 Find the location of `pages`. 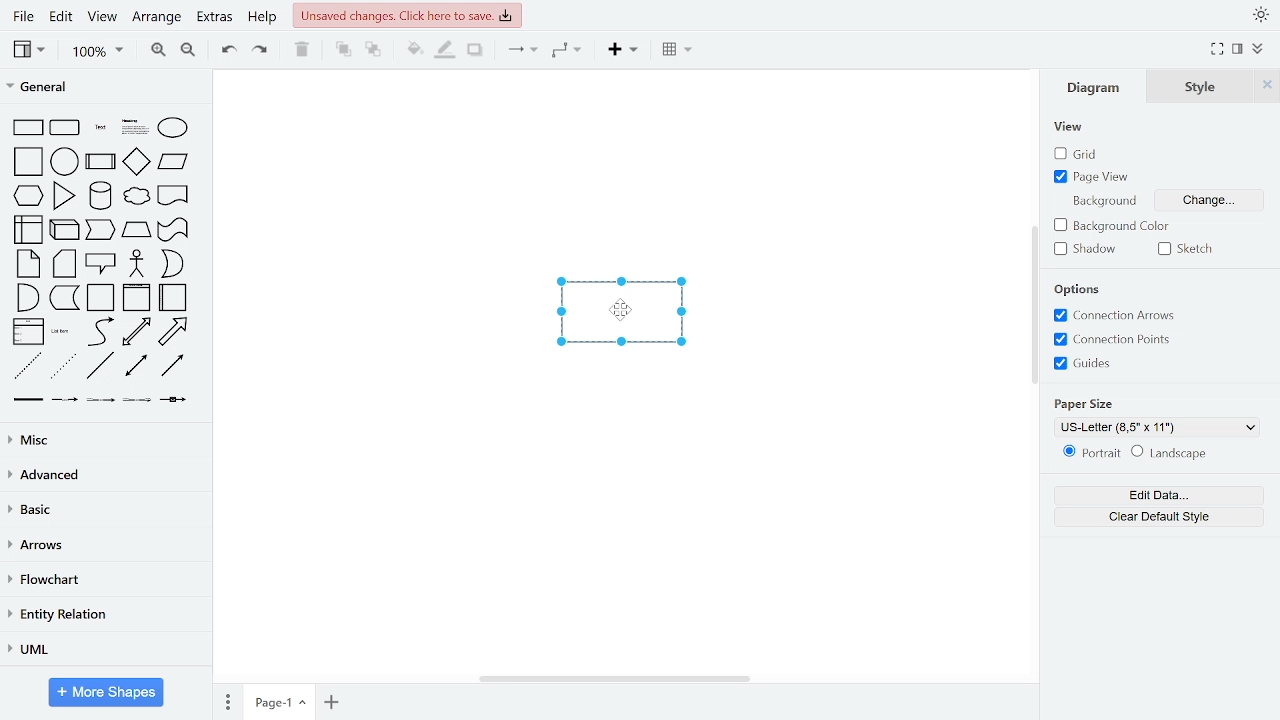

pages is located at coordinates (226, 701).